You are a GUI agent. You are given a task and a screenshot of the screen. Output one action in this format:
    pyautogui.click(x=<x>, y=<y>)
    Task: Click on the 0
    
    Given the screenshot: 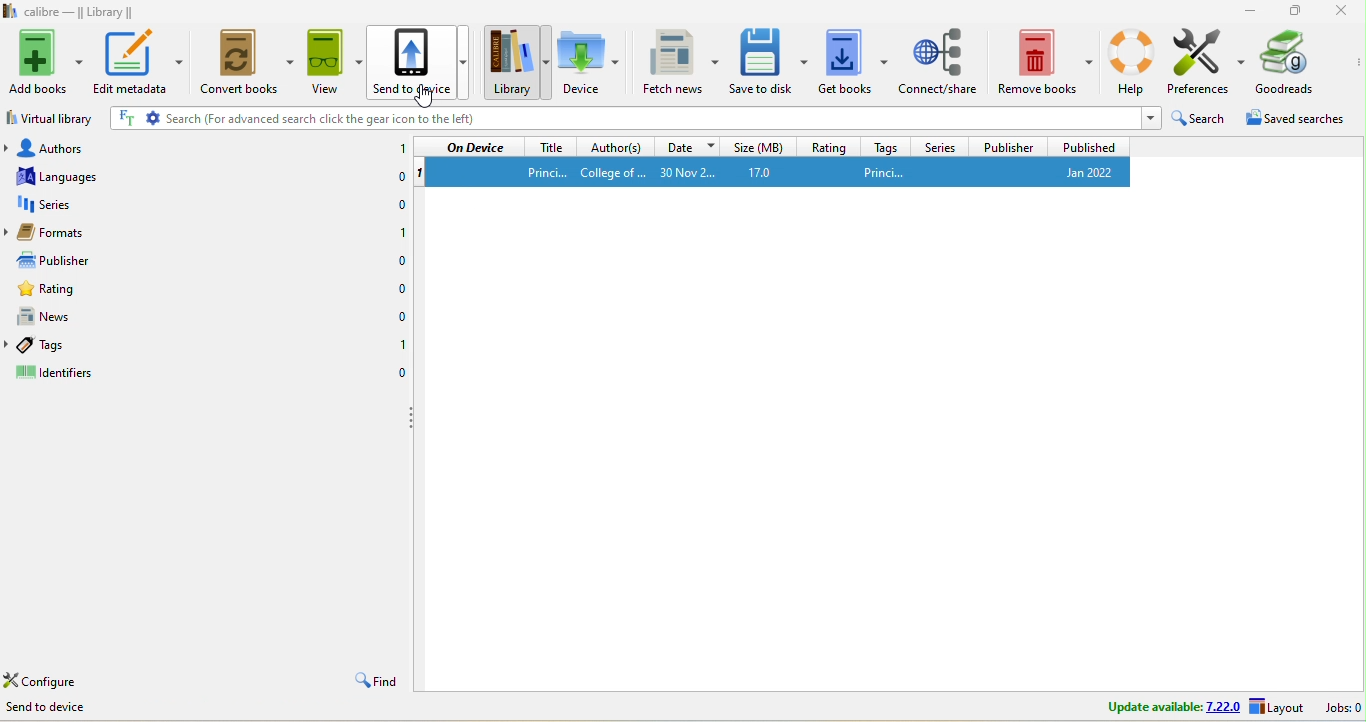 What is the action you would take?
    pyautogui.click(x=397, y=373)
    